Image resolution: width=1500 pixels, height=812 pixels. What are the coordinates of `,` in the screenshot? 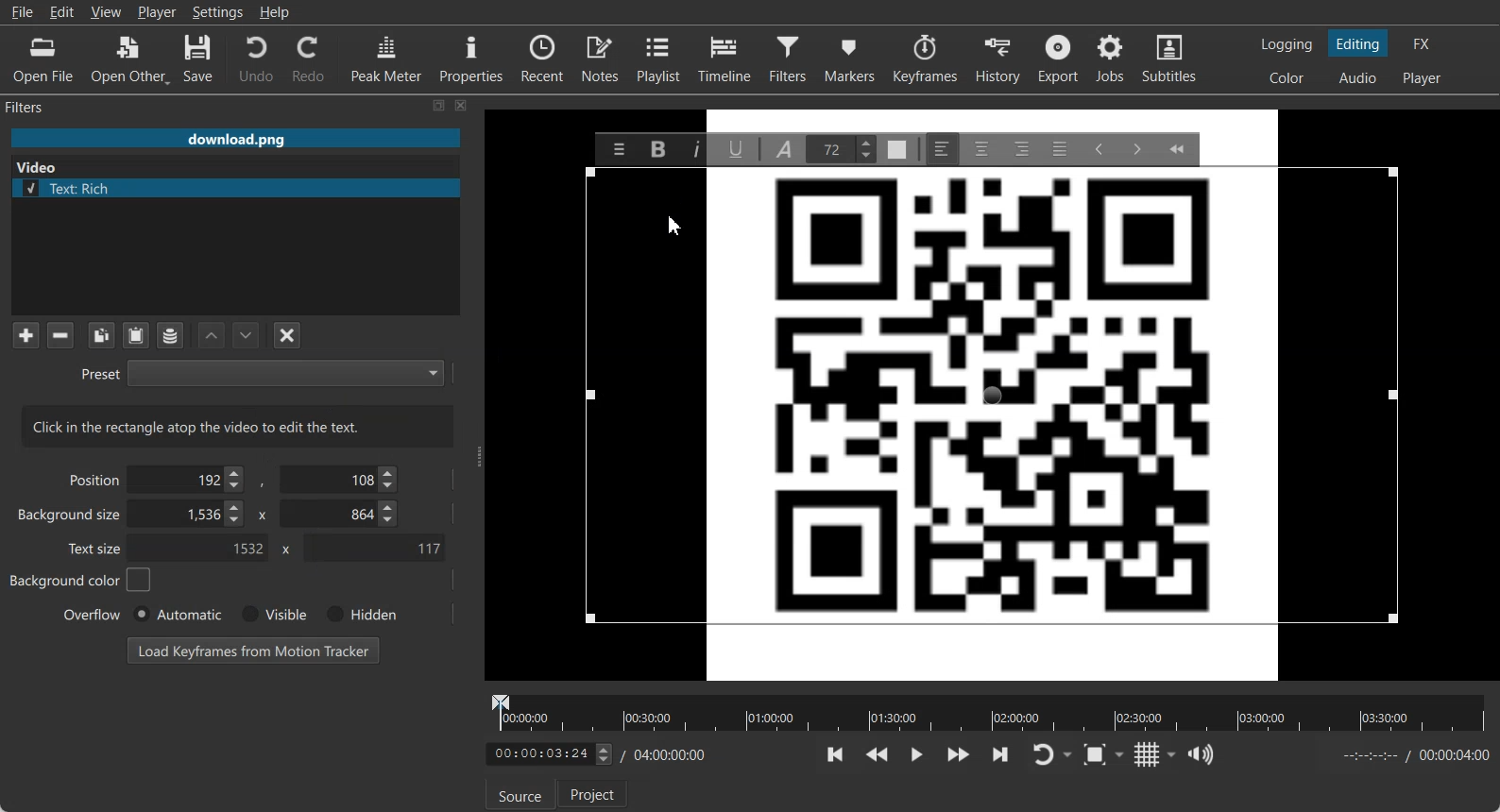 It's located at (264, 483).